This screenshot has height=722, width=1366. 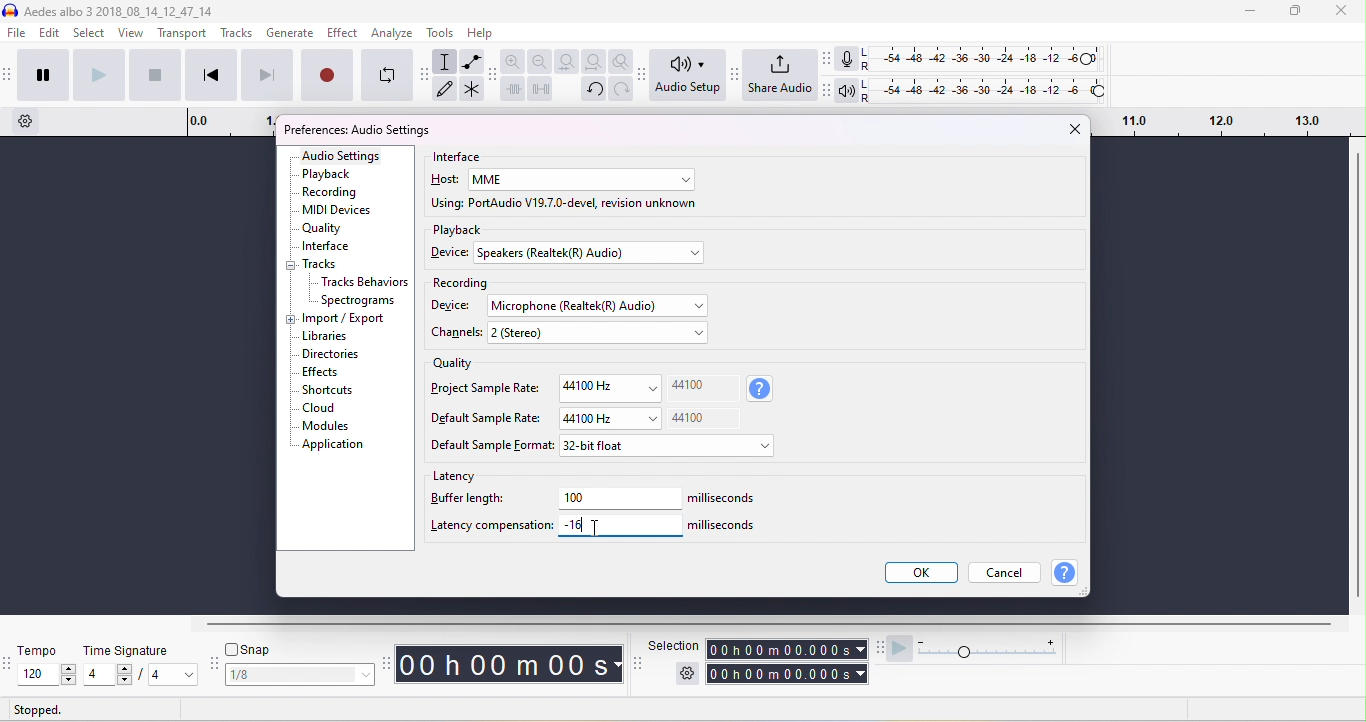 I want to click on collapse, so click(x=294, y=267).